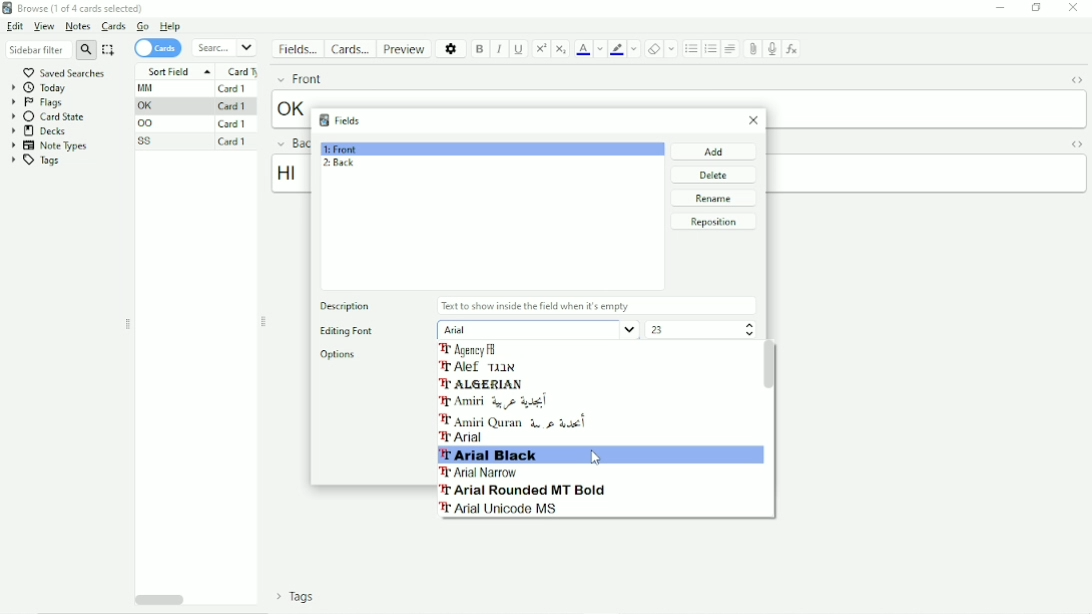 The width and height of the screenshot is (1092, 614). I want to click on Agency, so click(471, 349).